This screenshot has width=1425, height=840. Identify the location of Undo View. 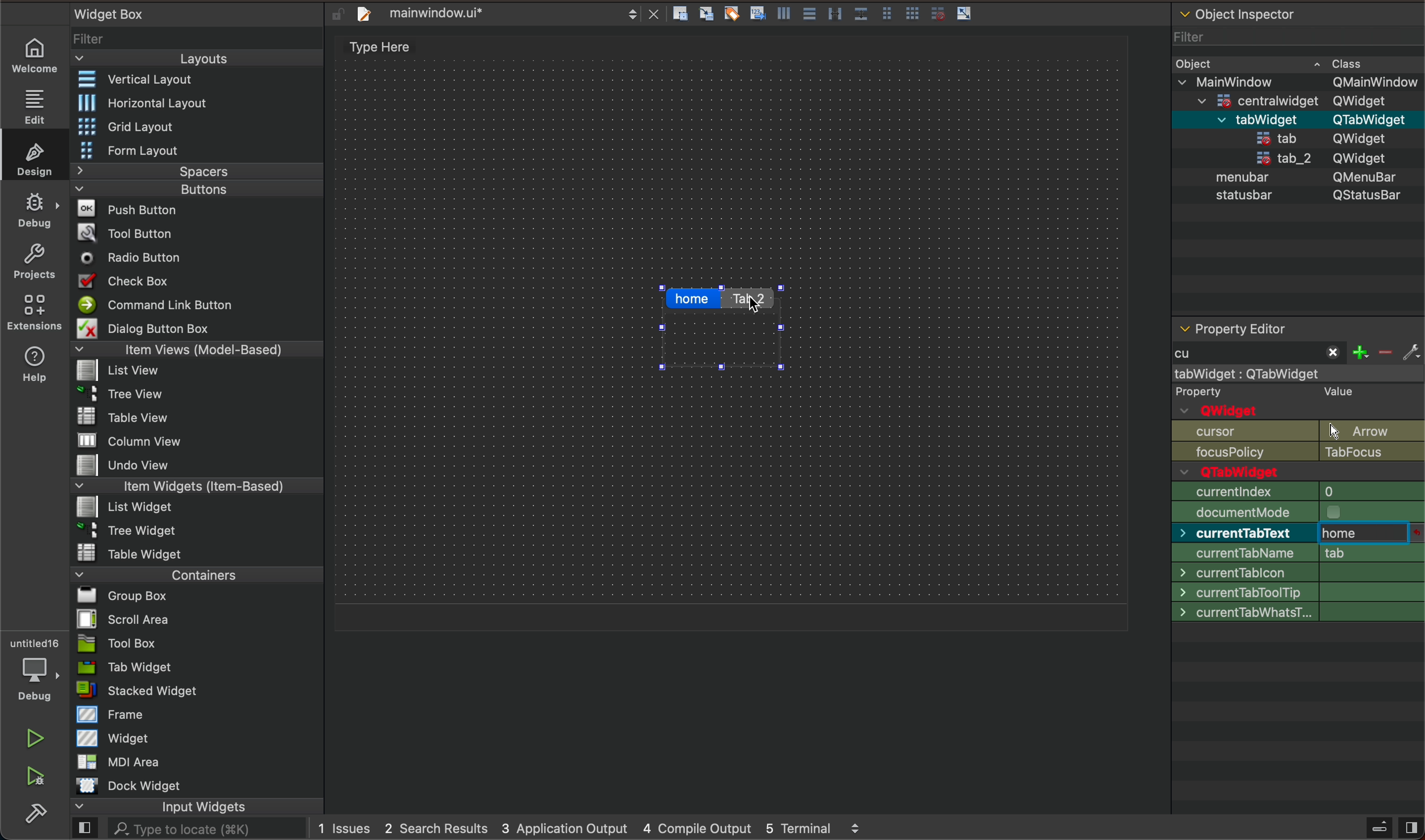
(117, 466).